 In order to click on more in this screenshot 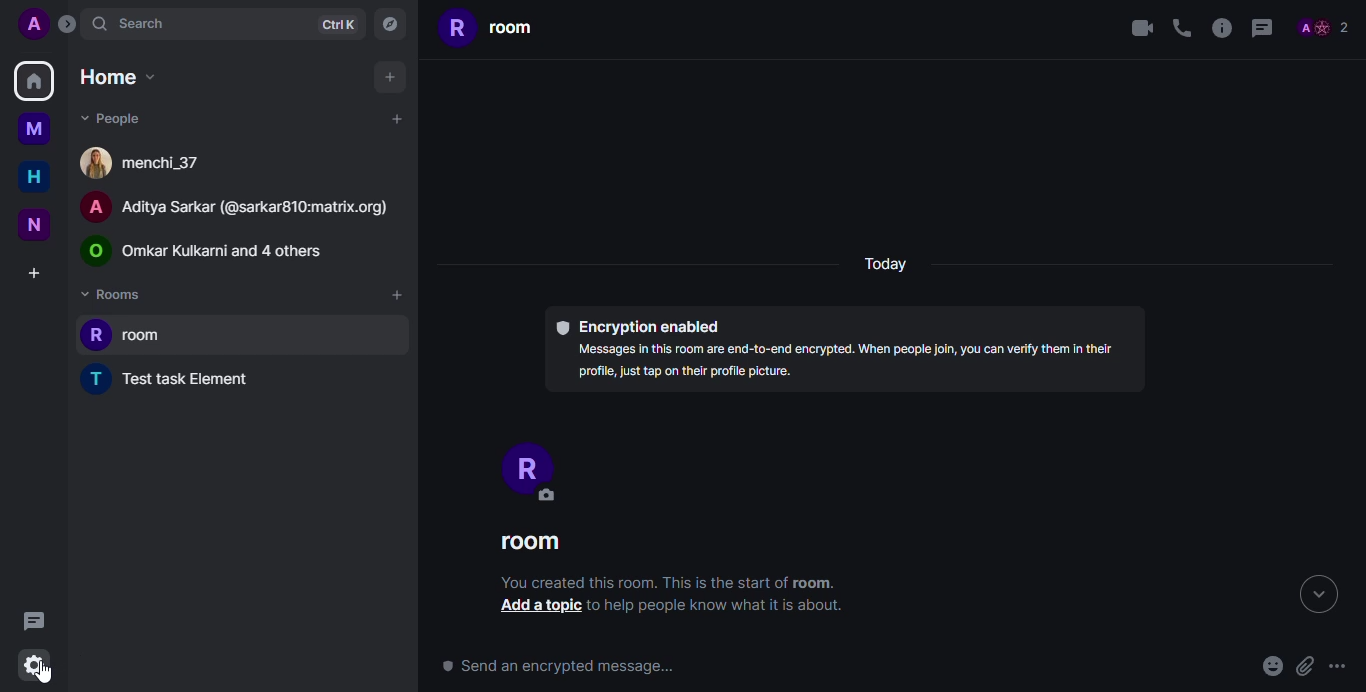, I will do `click(1340, 668)`.